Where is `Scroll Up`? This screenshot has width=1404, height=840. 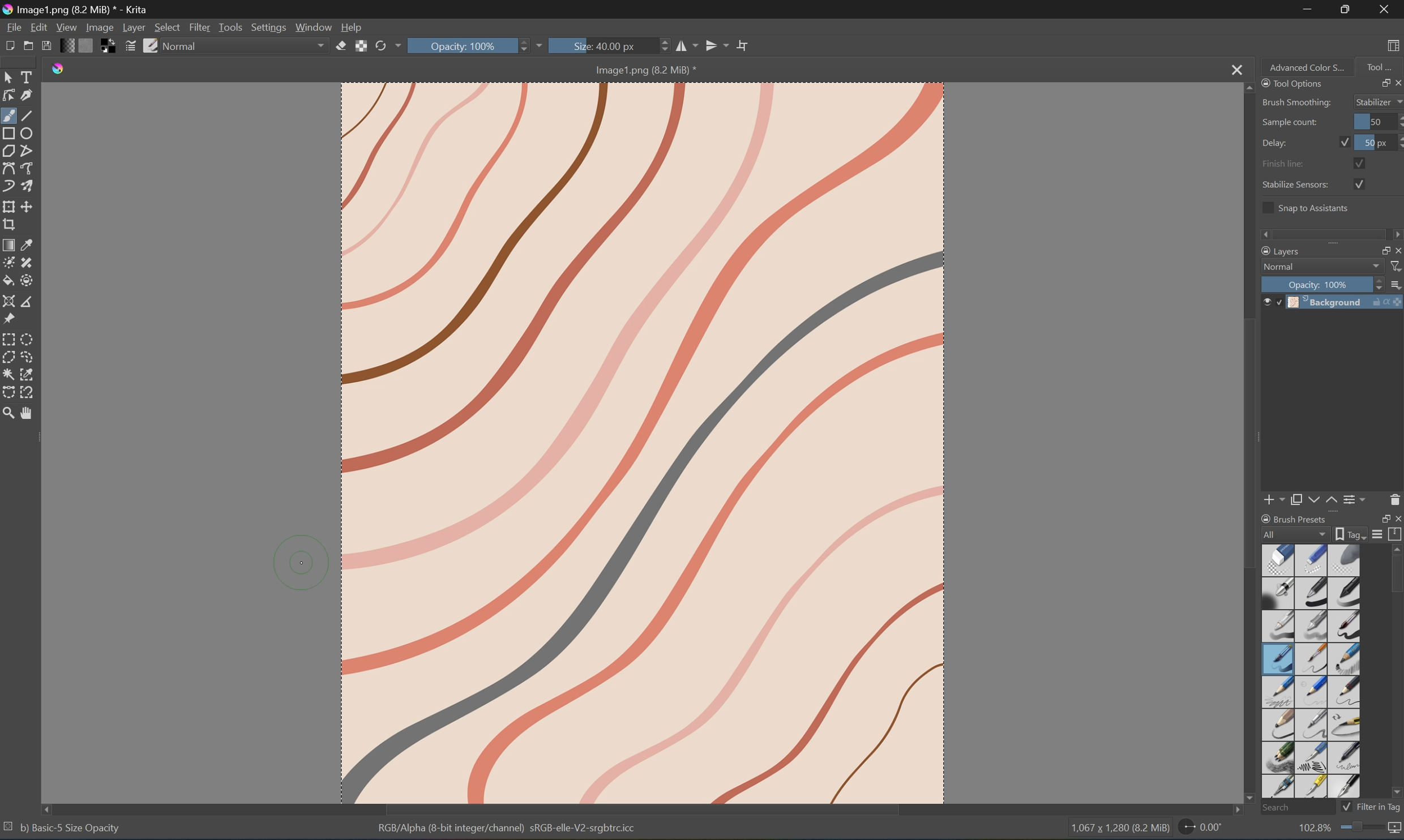 Scroll Up is located at coordinates (1396, 548).